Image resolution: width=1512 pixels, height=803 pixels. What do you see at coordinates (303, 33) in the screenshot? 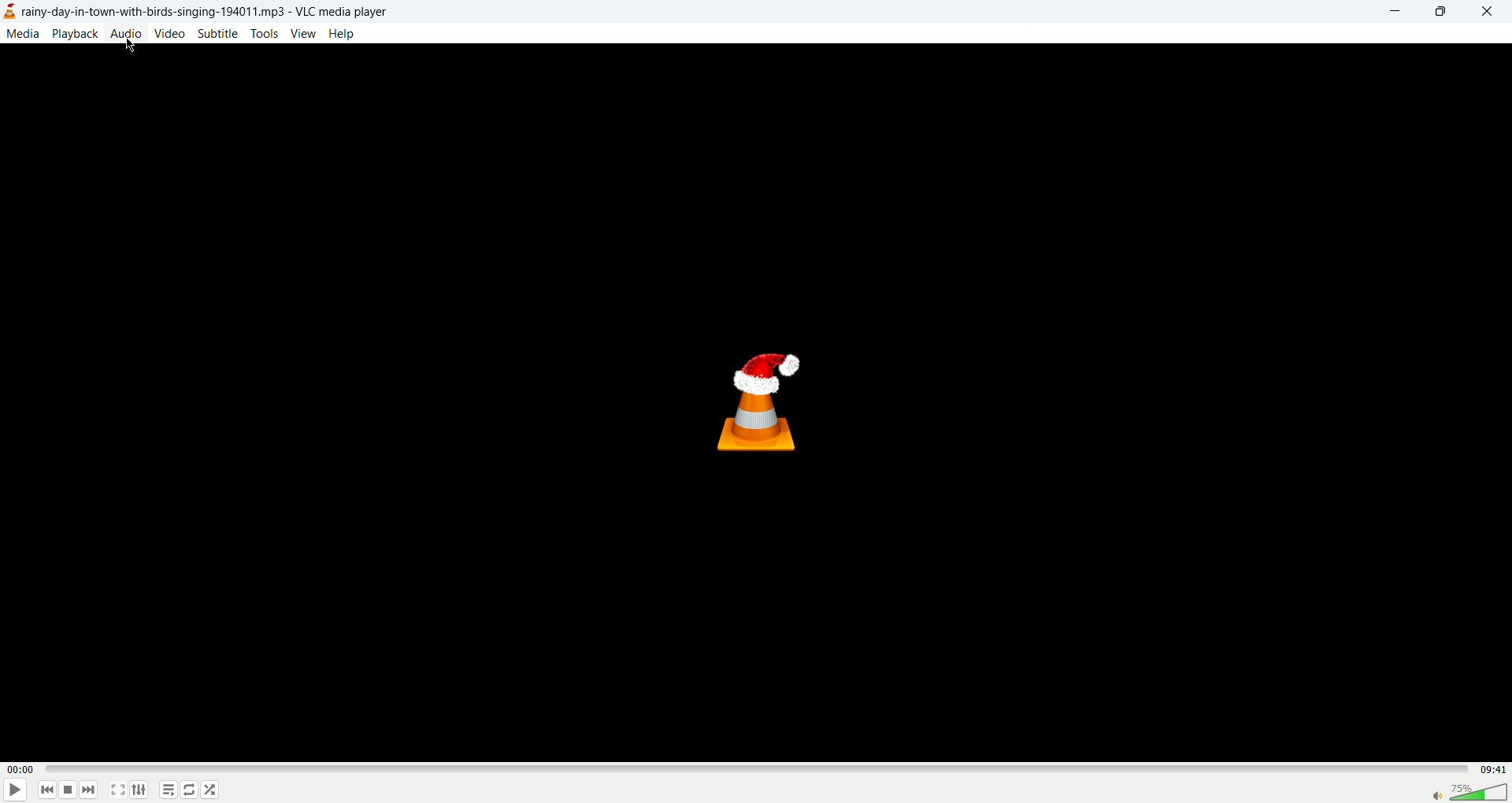
I see `view` at bounding box center [303, 33].